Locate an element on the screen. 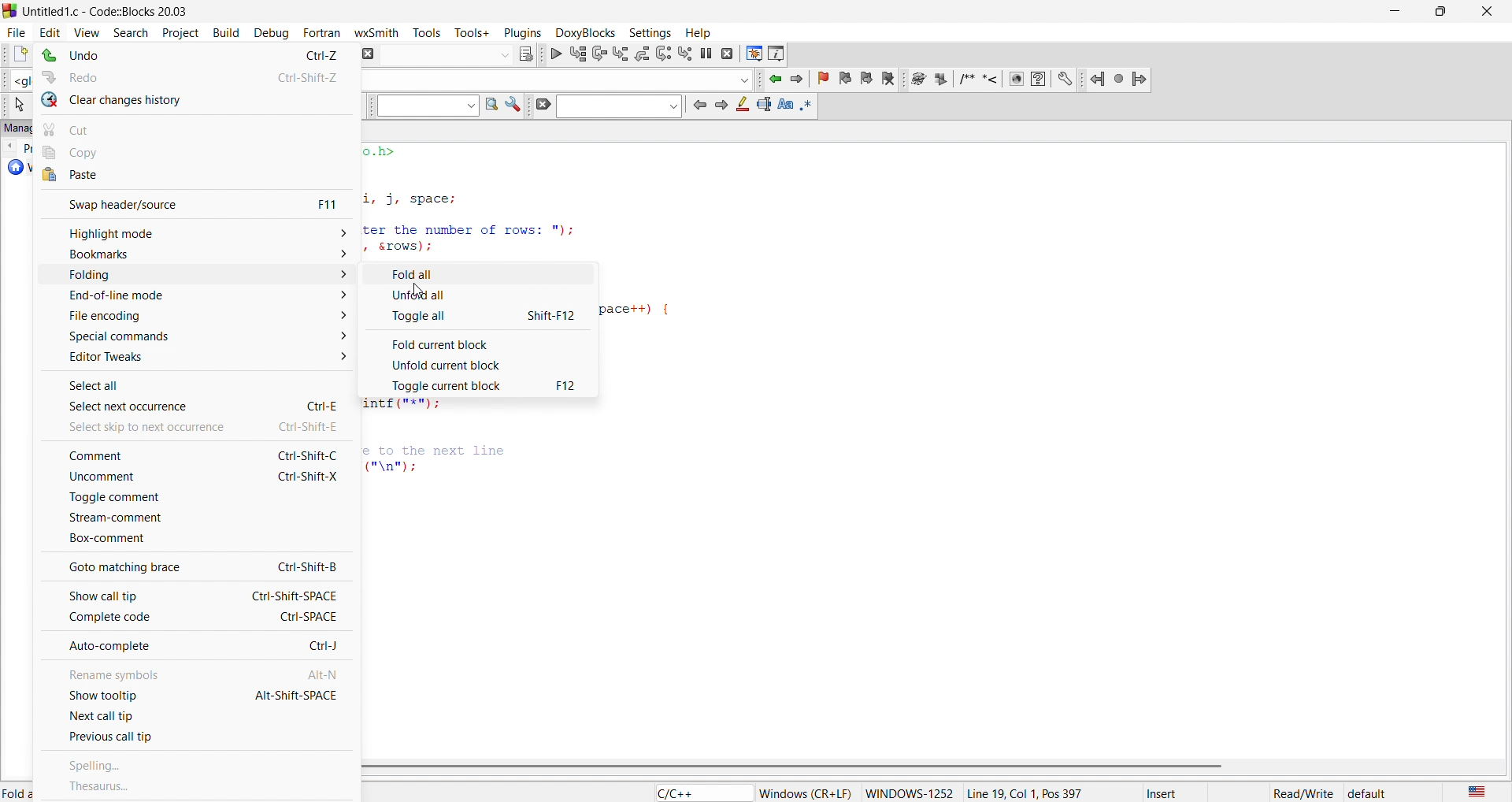  special commands is located at coordinates (191, 336).